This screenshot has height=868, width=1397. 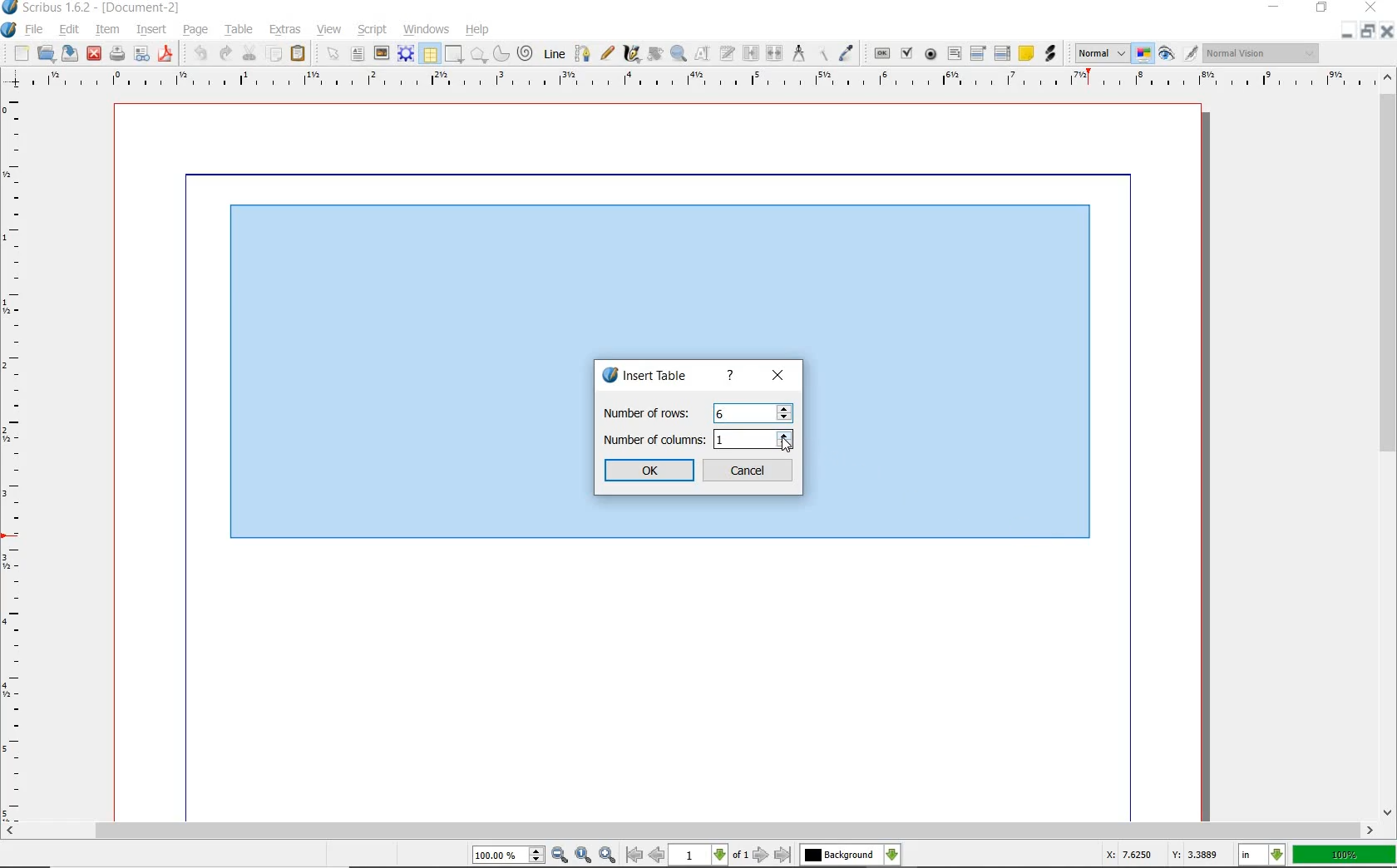 What do you see at coordinates (1367, 31) in the screenshot?
I see `restore` at bounding box center [1367, 31].